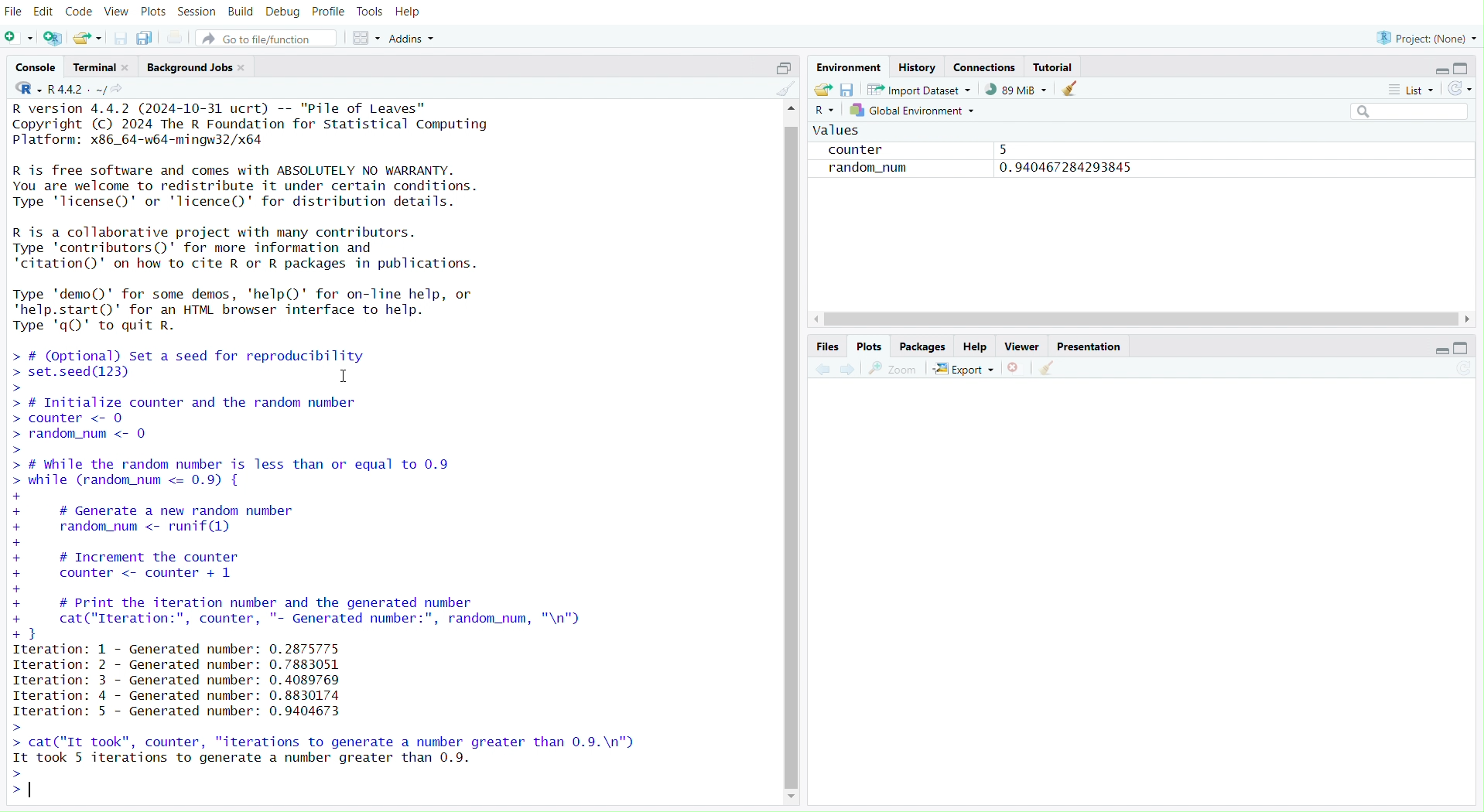 The height and width of the screenshot is (812, 1484). I want to click on 89kib used by R session (Source: Windows System), so click(1018, 89).